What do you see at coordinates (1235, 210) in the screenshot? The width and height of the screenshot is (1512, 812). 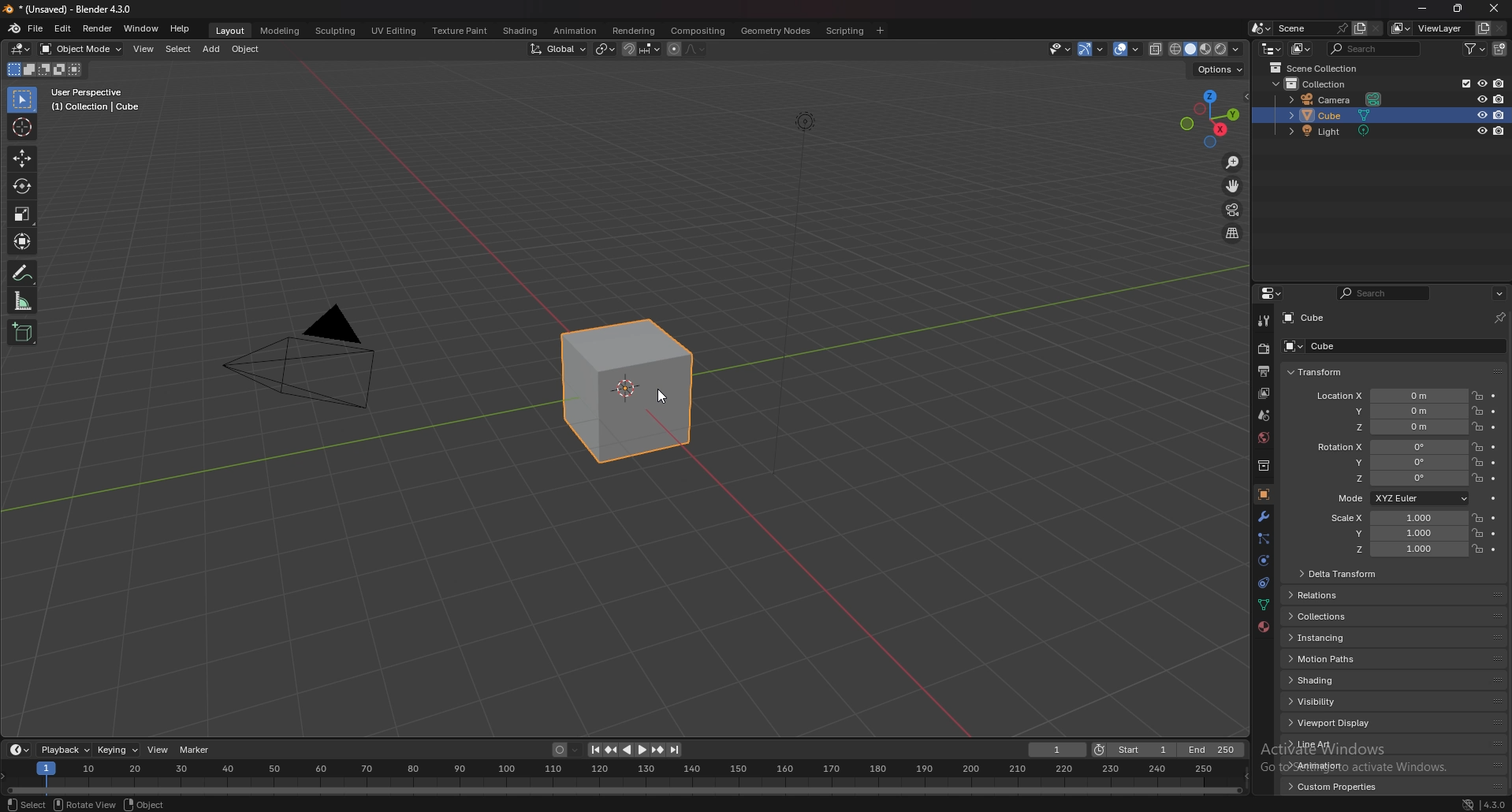 I see `camera view` at bounding box center [1235, 210].